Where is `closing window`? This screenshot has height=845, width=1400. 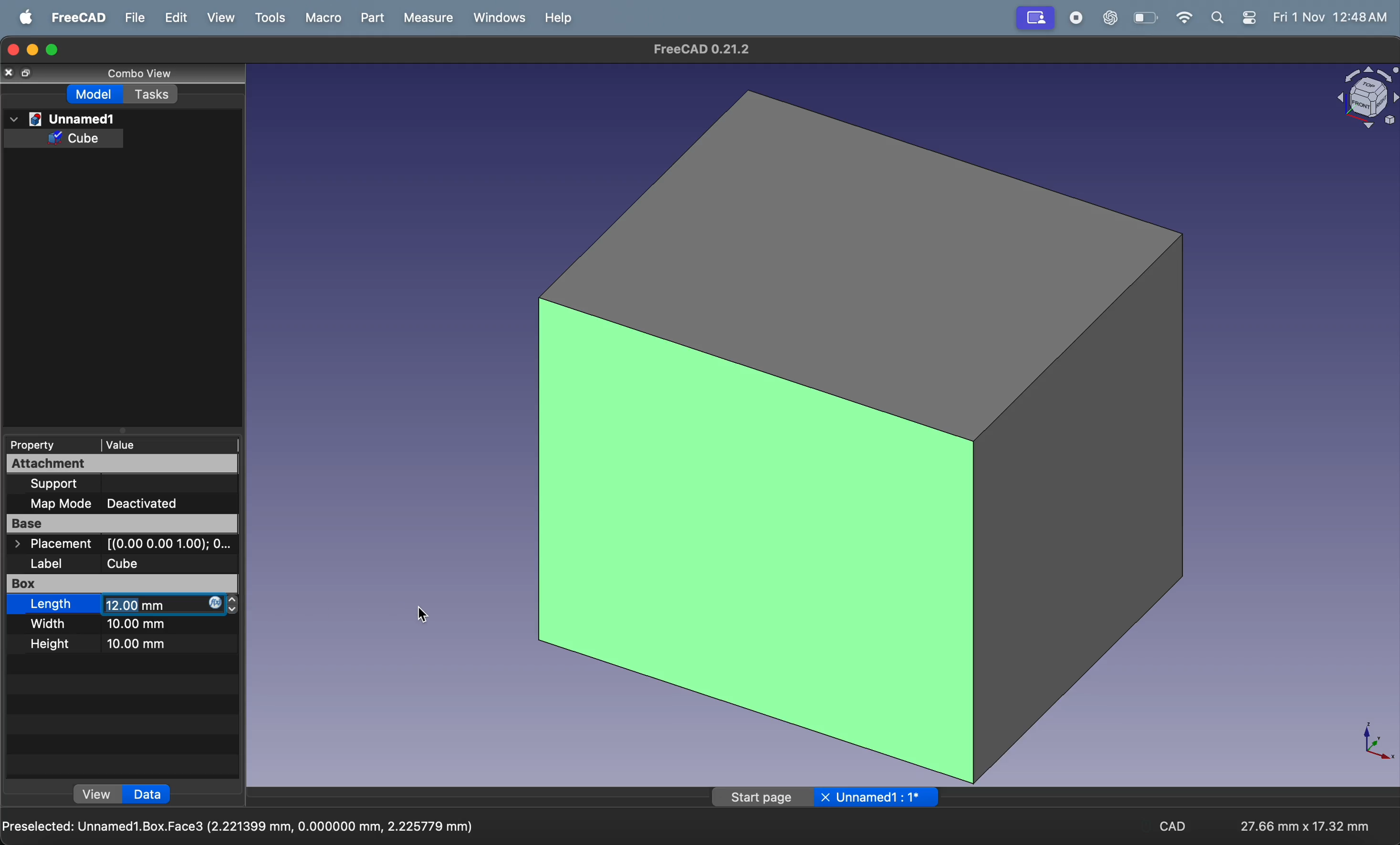
closing window is located at coordinates (13, 51).